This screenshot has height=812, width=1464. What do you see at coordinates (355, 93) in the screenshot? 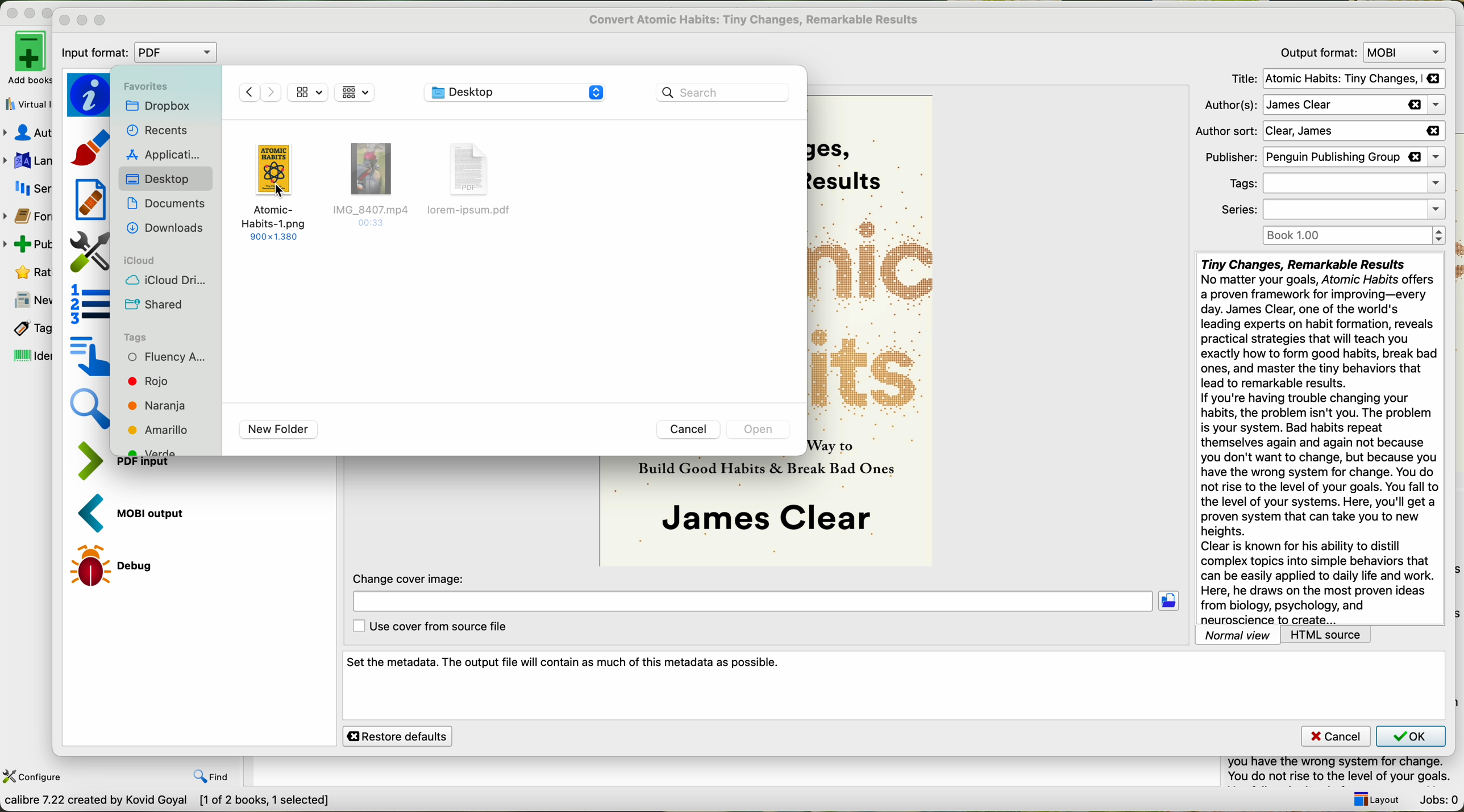
I see `mosaic view` at bounding box center [355, 93].